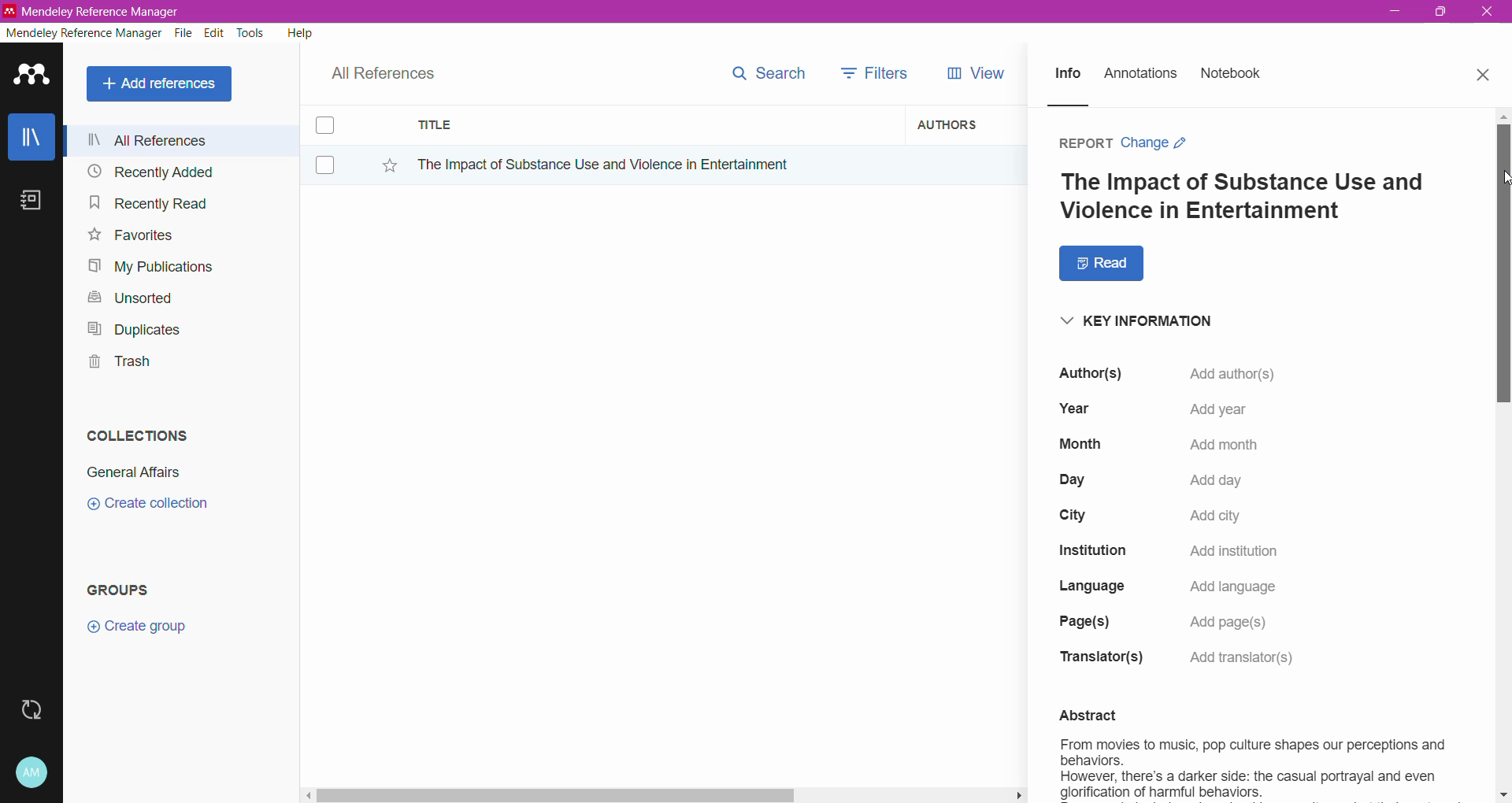 Image resolution: width=1512 pixels, height=803 pixels. What do you see at coordinates (1488, 13) in the screenshot?
I see `Close` at bounding box center [1488, 13].